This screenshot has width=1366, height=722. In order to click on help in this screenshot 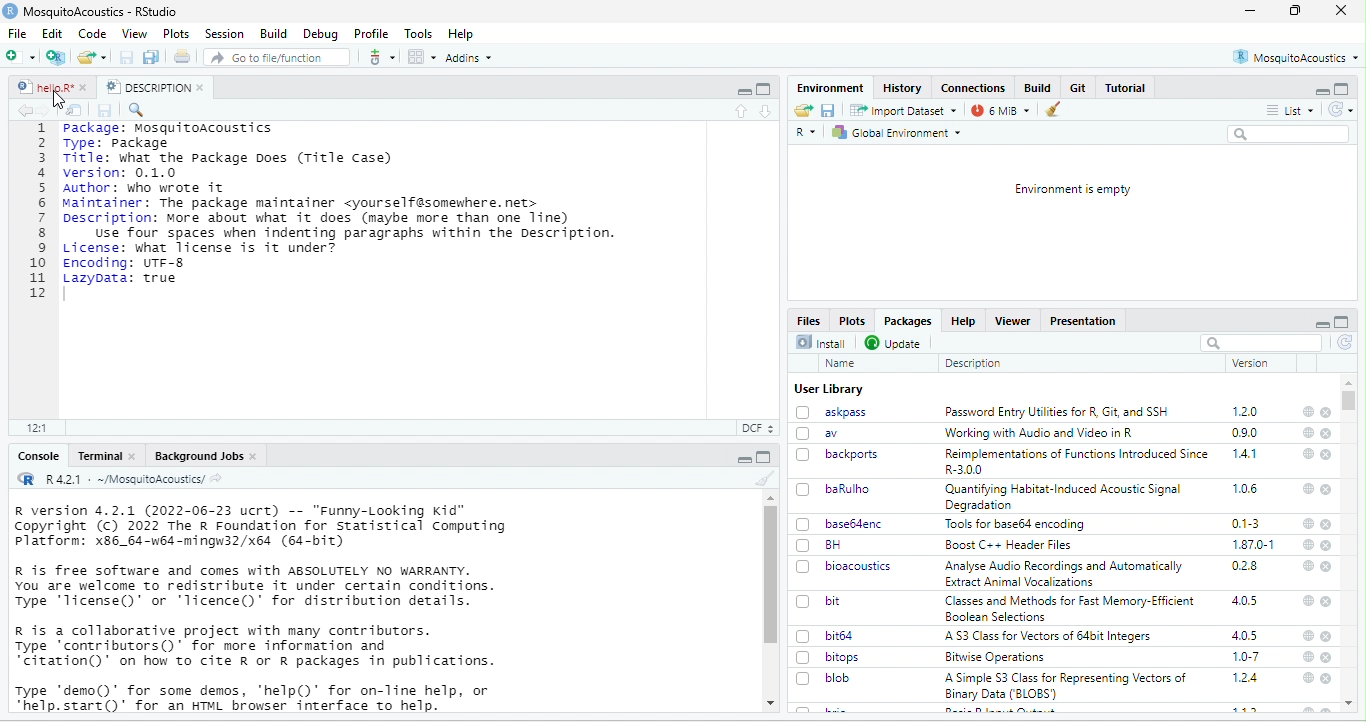, I will do `click(1306, 679)`.